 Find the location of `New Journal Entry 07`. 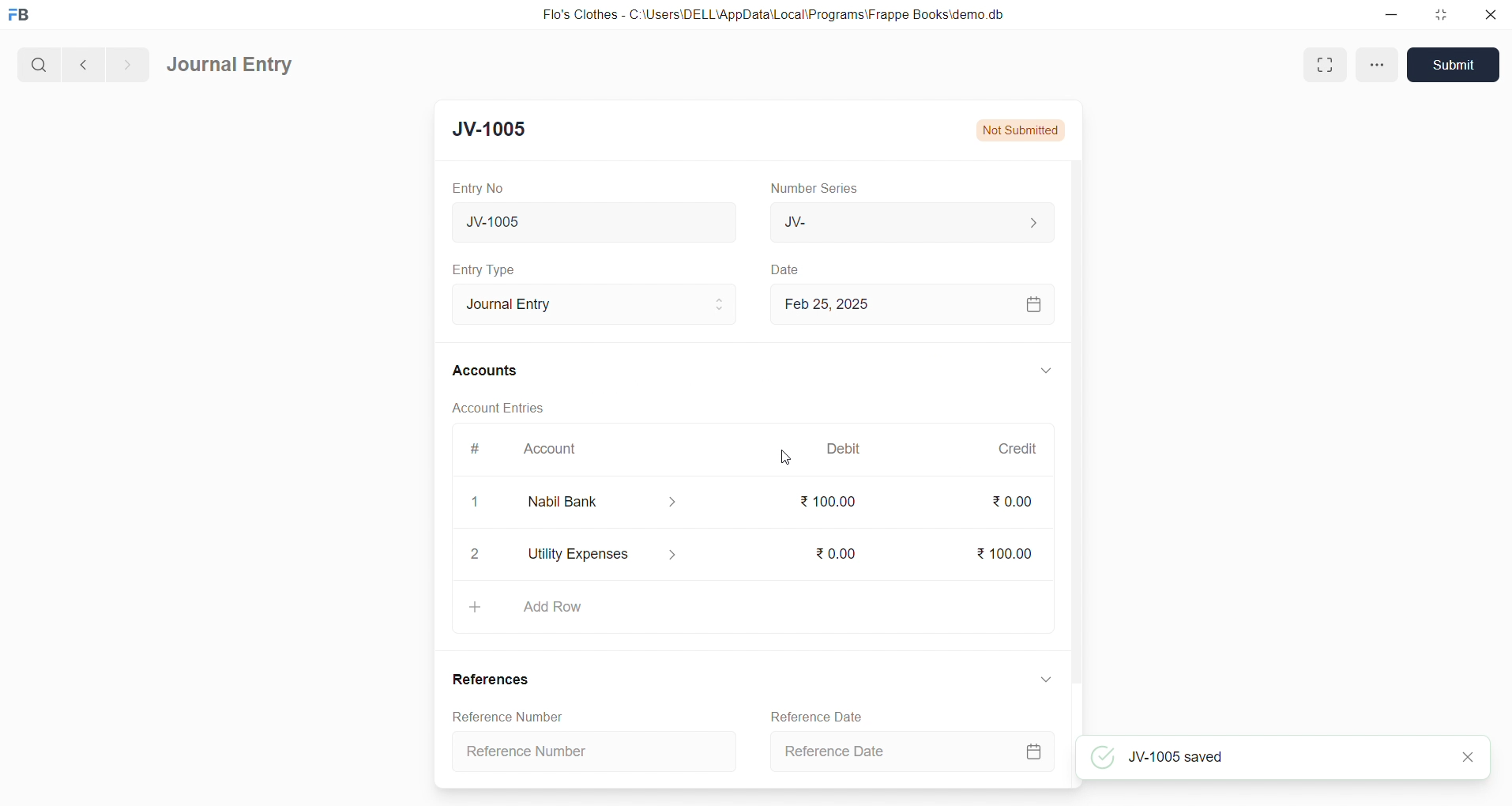

New Journal Entry 07 is located at coordinates (588, 218).